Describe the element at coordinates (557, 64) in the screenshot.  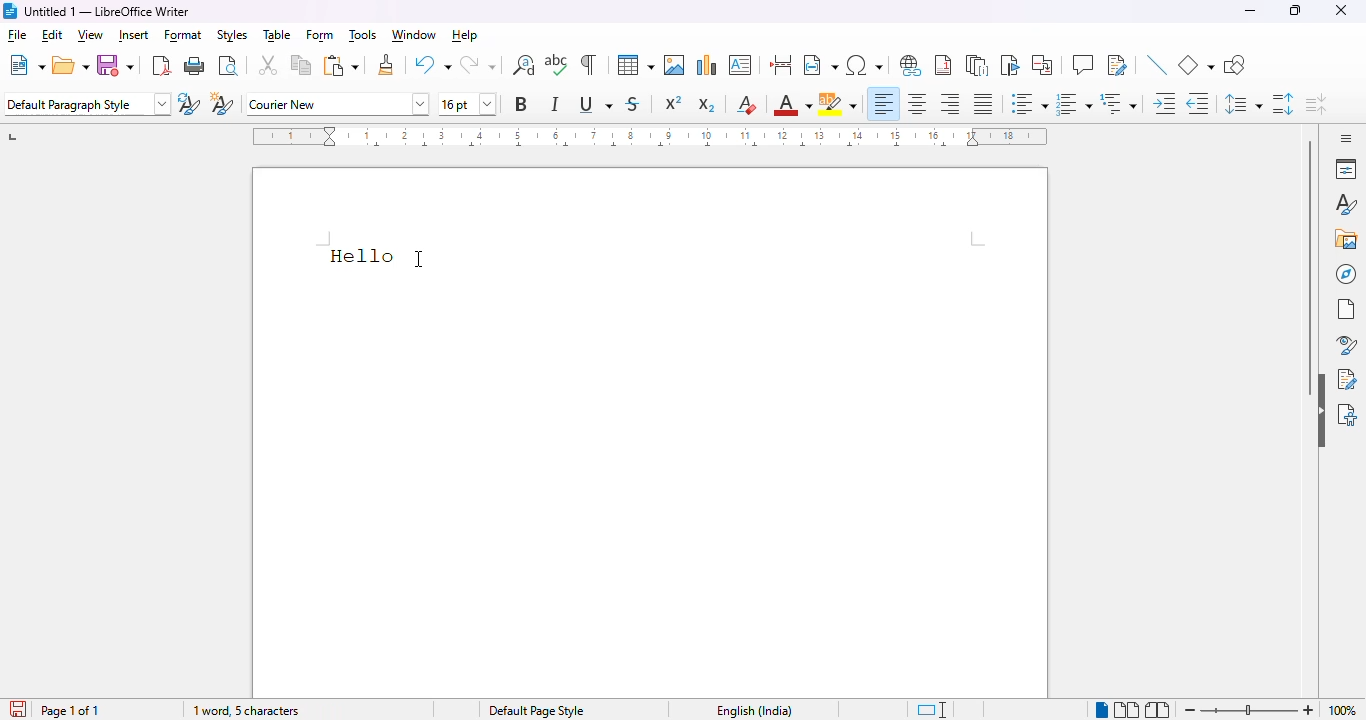
I see `check spelling` at that location.